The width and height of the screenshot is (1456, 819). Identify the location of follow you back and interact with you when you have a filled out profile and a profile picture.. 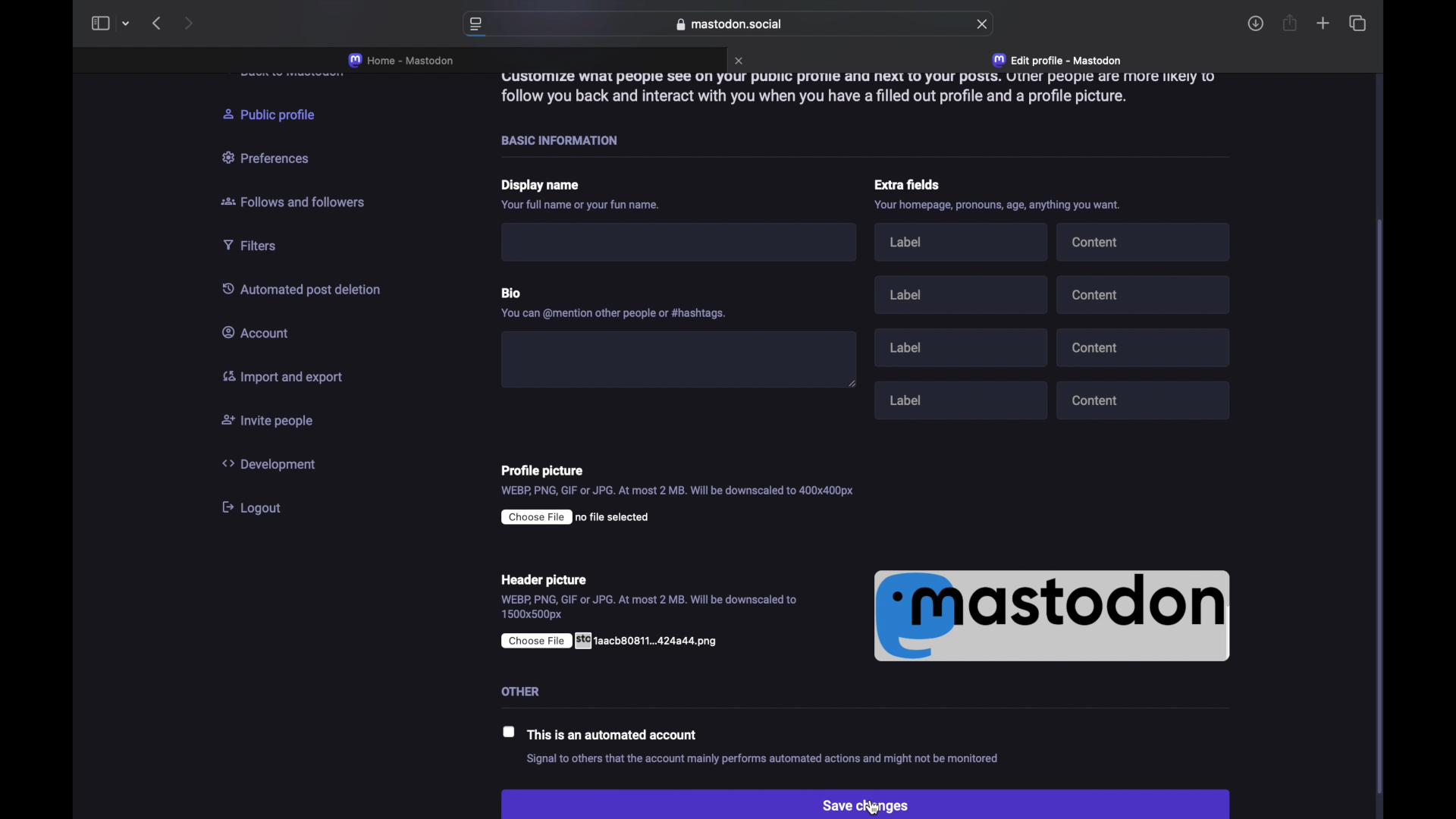
(836, 102).